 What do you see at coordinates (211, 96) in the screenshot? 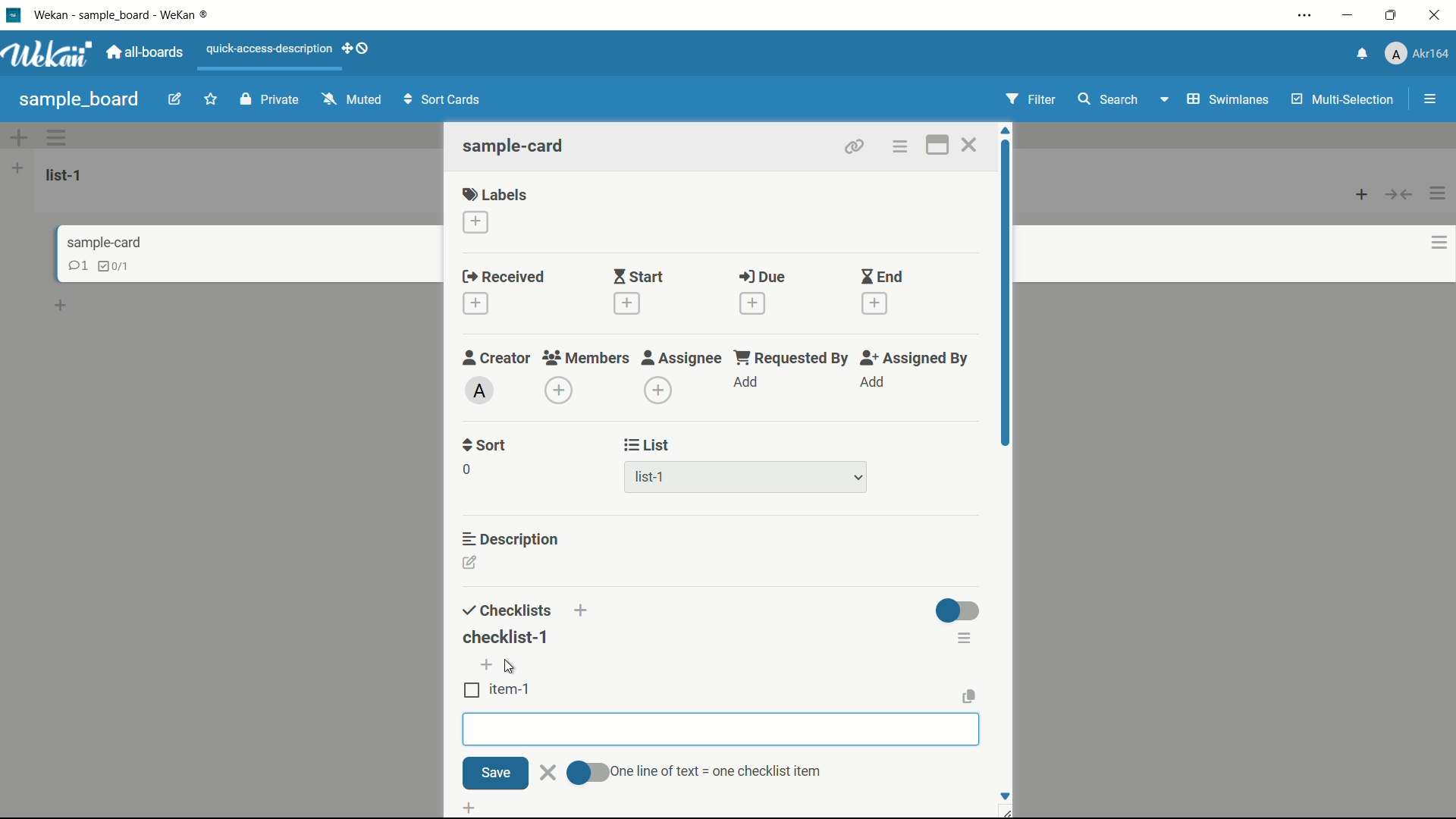
I see `favourite` at bounding box center [211, 96].